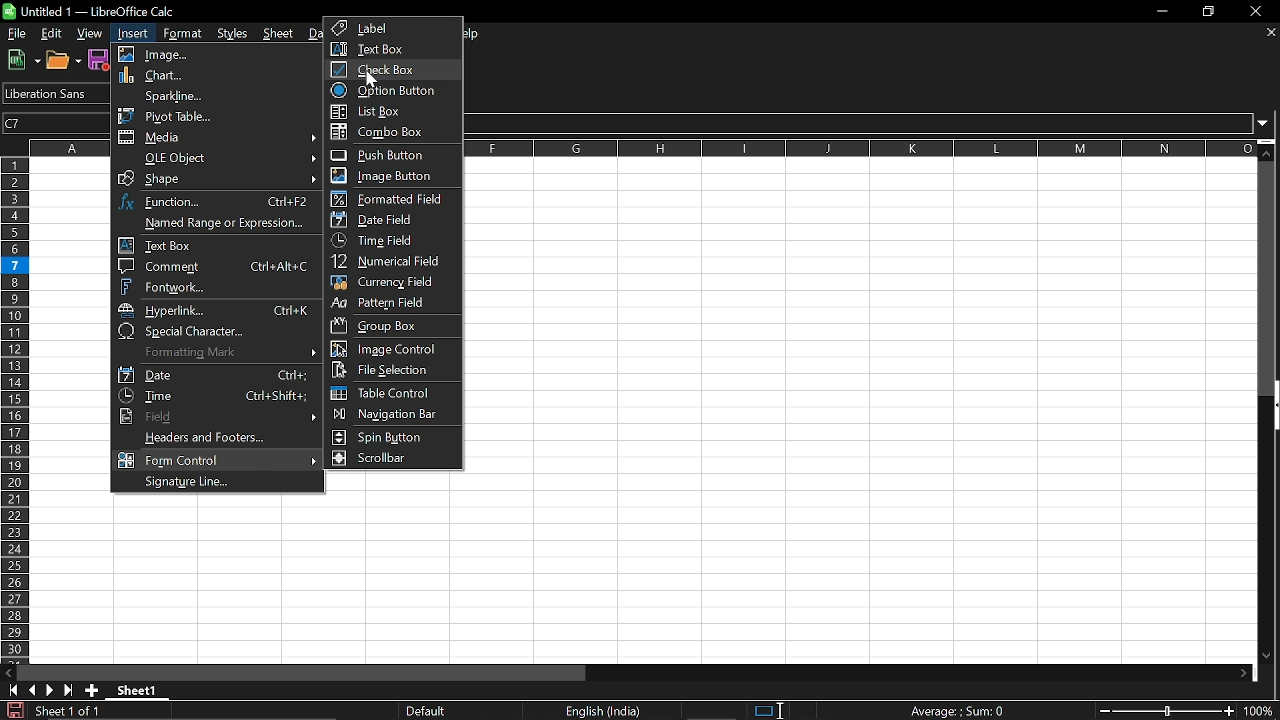 Image resolution: width=1280 pixels, height=720 pixels. What do you see at coordinates (389, 416) in the screenshot?
I see `Navigation bar` at bounding box center [389, 416].